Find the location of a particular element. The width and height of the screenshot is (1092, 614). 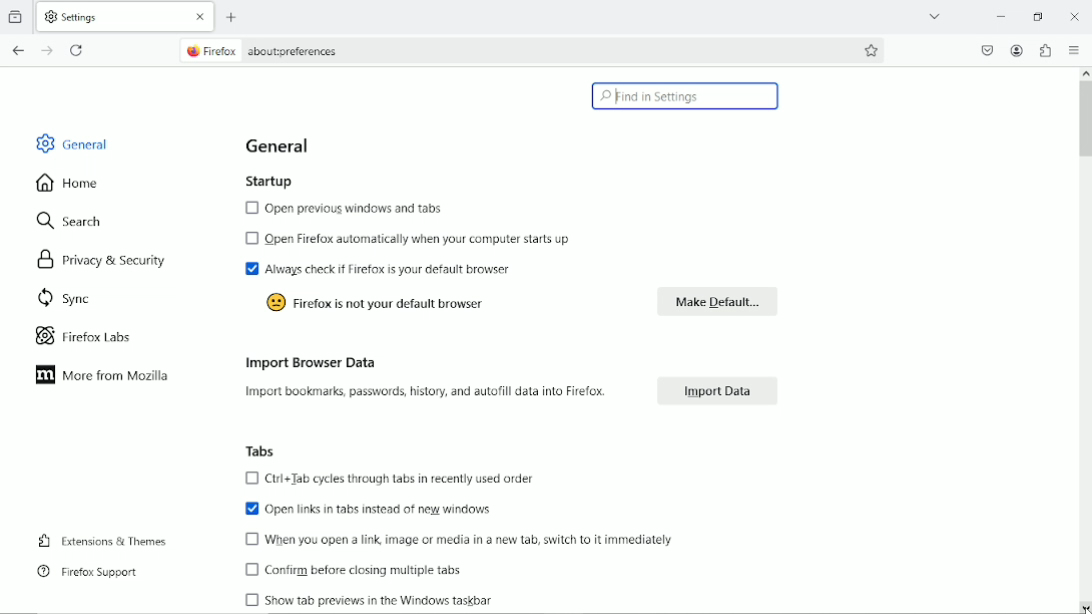

general is located at coordinates (277, 145).